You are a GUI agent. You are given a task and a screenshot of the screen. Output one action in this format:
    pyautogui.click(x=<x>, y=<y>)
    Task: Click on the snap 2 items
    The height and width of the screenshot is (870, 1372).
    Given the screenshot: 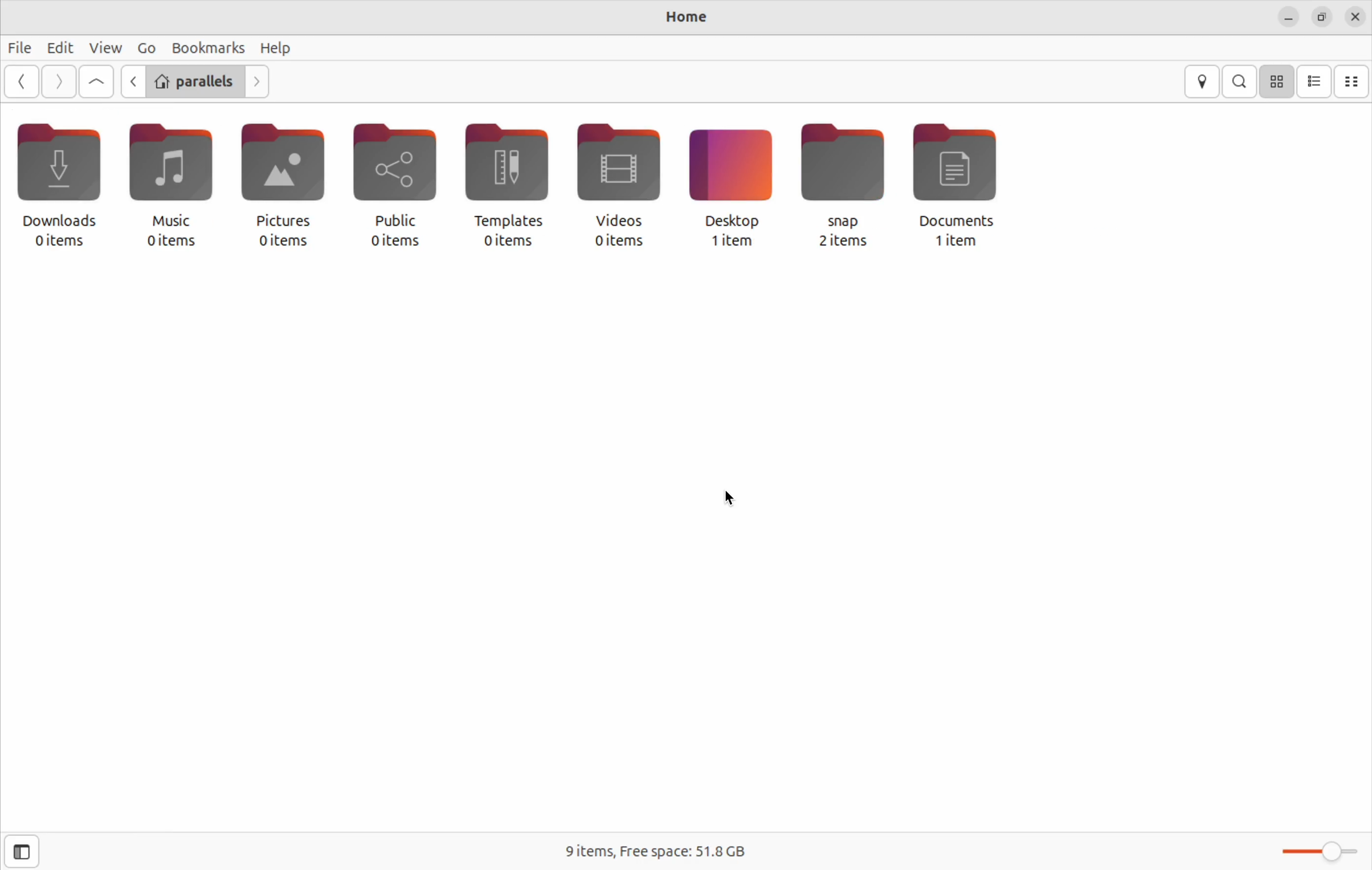 What is the action you would take?
    pyautogui.click(x=847, y=186)
    